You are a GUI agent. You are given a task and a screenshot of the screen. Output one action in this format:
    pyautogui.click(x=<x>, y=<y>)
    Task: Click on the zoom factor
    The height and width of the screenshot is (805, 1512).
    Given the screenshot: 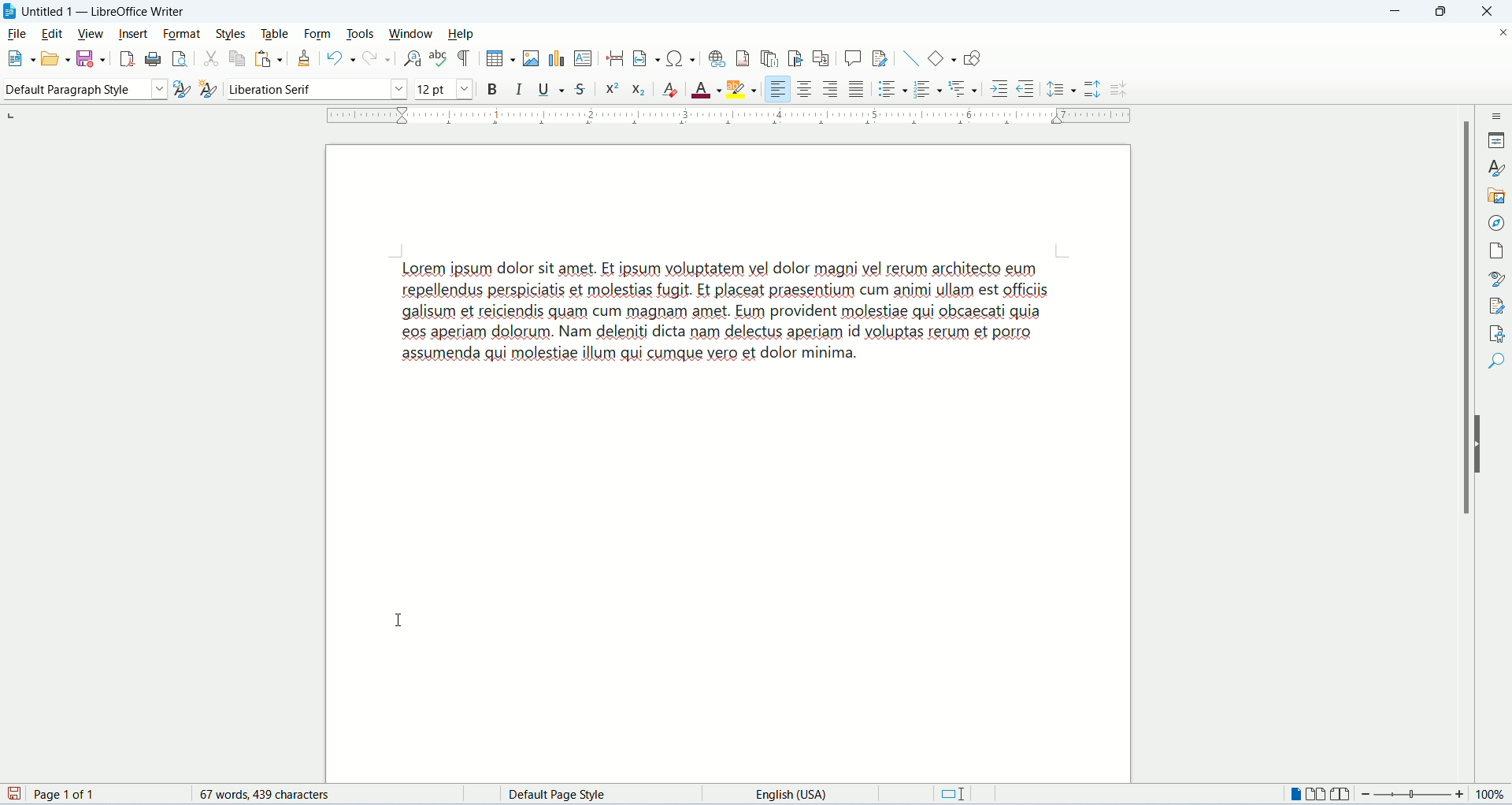 What is the action you would take?
    pyautogui.click(x=1433, y=793)
    